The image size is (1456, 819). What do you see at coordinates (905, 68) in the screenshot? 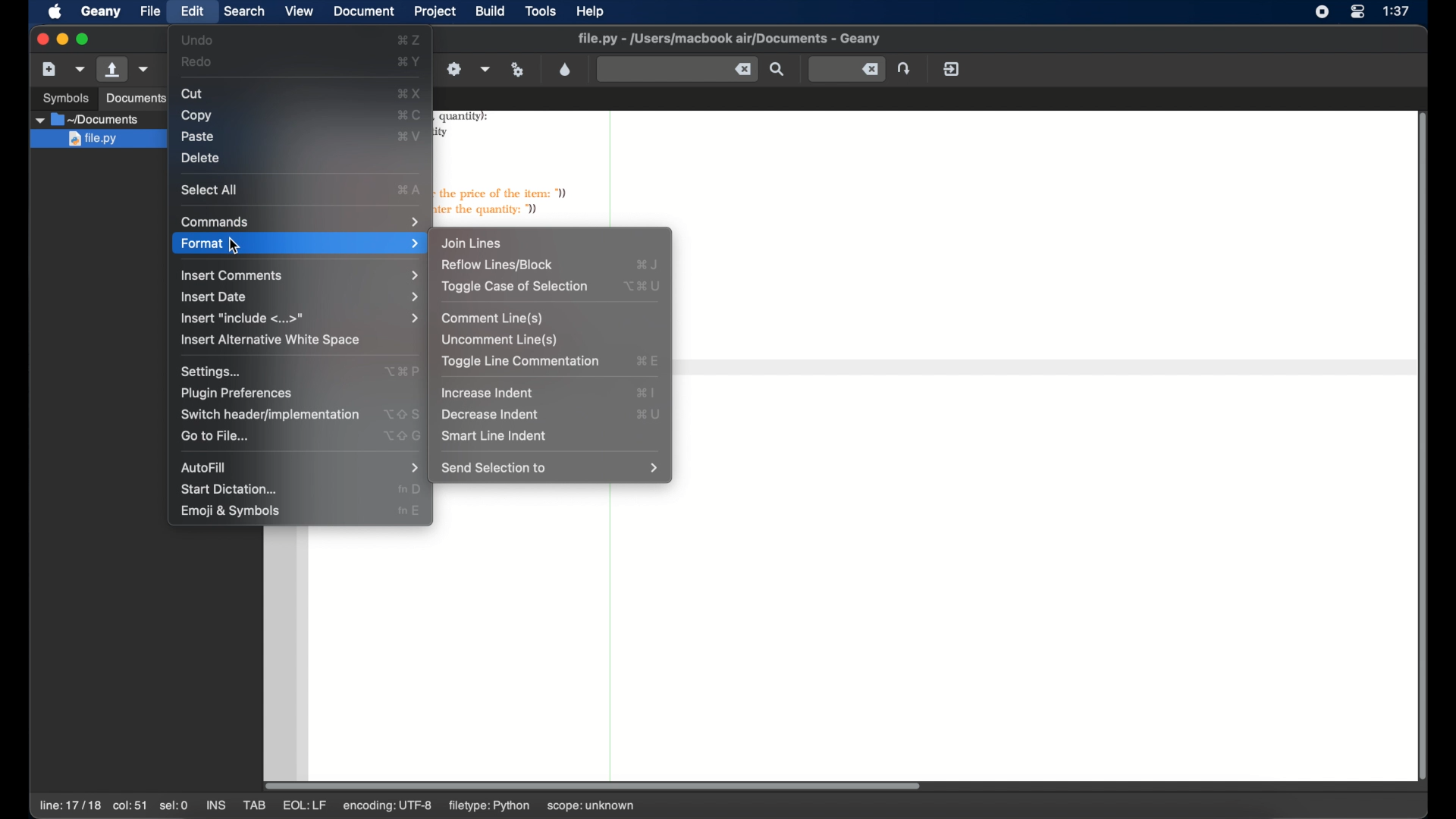
I see `jump to the entered line number` at bounding box center [905, 68].